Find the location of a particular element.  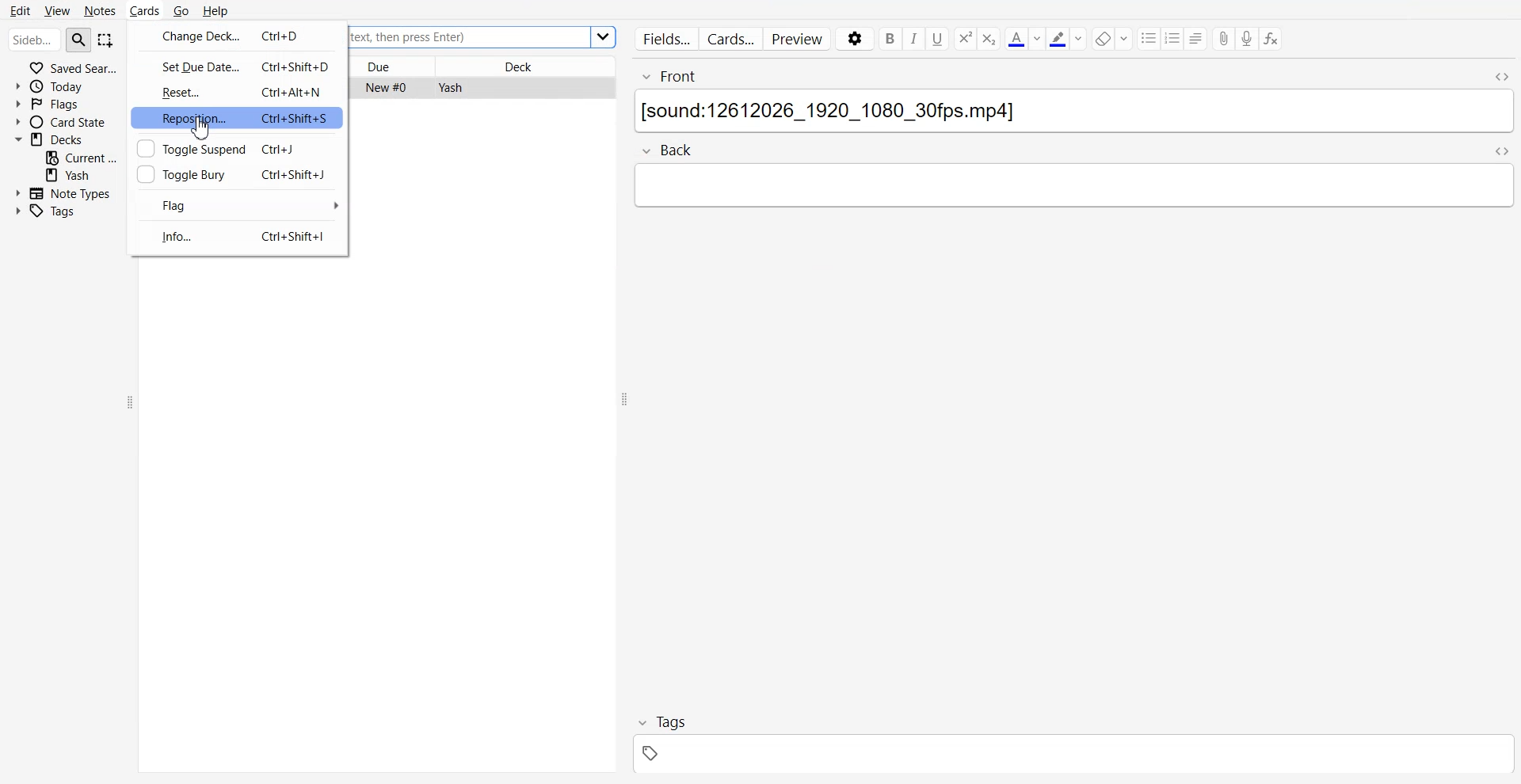

Ctri+j is located at coordinates (278, 147).